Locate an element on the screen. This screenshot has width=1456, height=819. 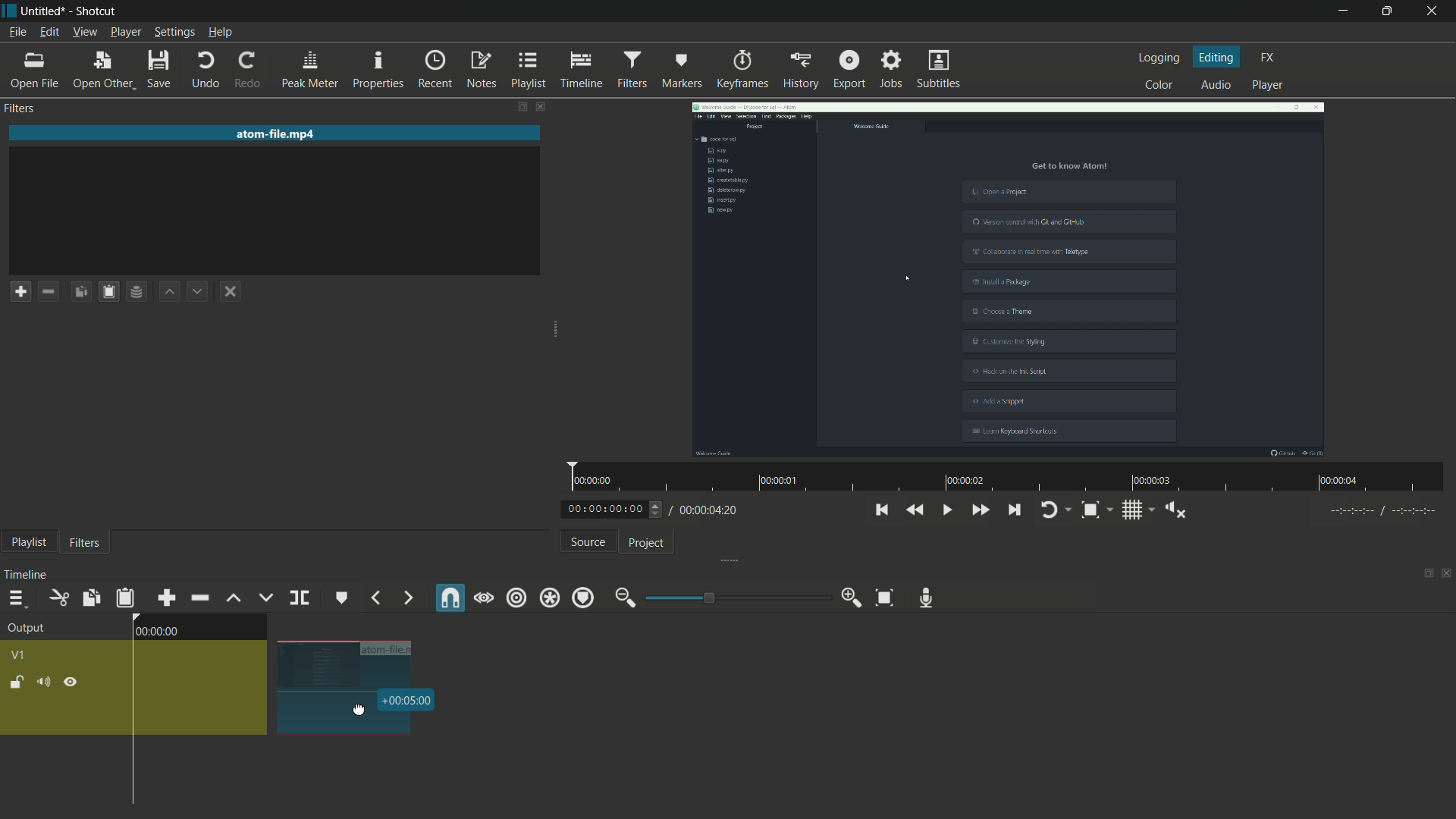
deselect the i=filter is located at coordinates (231, 291).